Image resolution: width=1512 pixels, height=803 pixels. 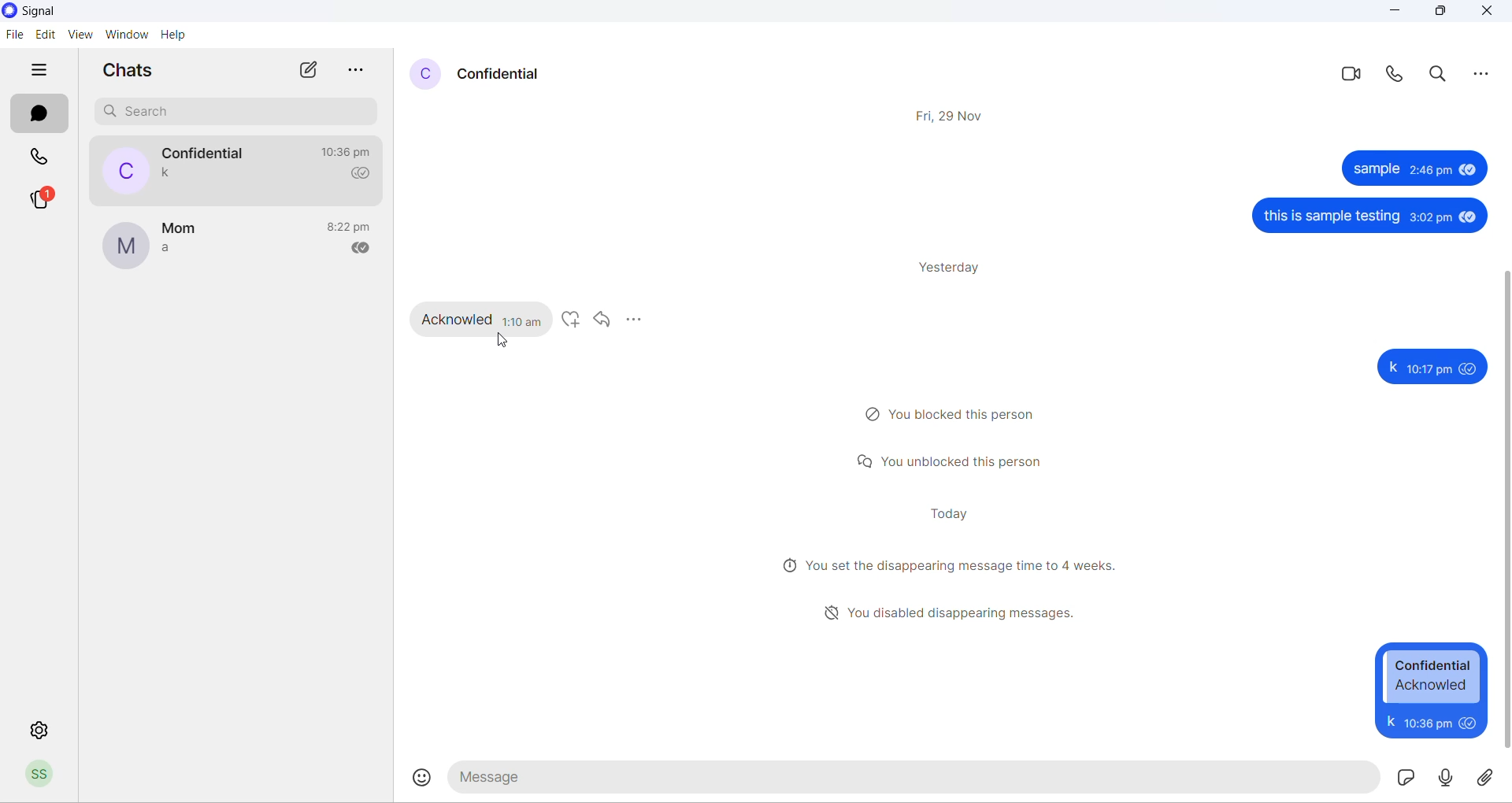 I want to click on edit, so click(x=45, y=35).